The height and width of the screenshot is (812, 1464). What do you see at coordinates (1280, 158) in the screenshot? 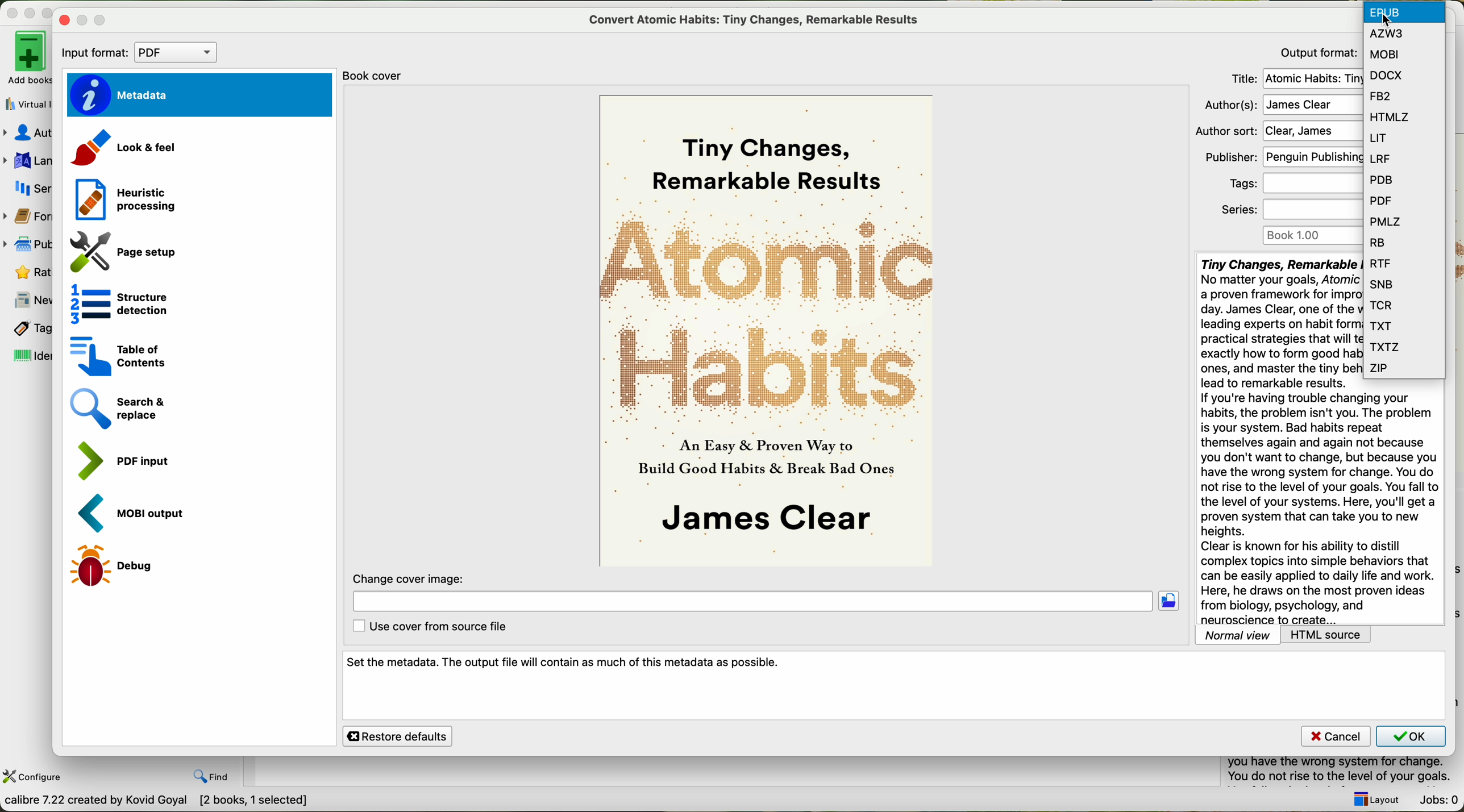
I see `publisher` at bounding box center [1280, 158].